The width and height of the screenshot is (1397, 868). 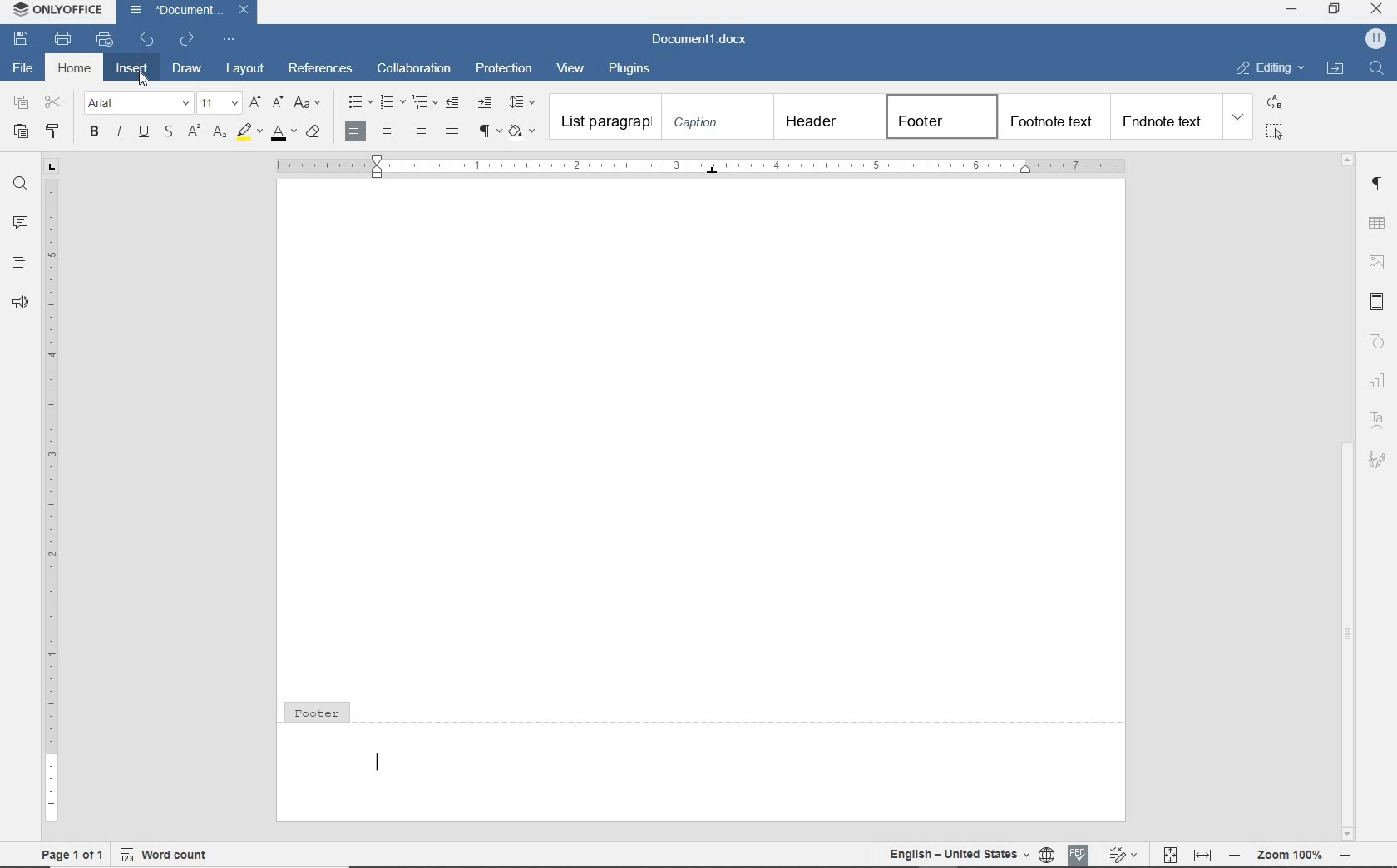 What do you see at coordinates (1059, 118) in the screenshot?
I see `footnote text` at bounding box center [1059, 118].